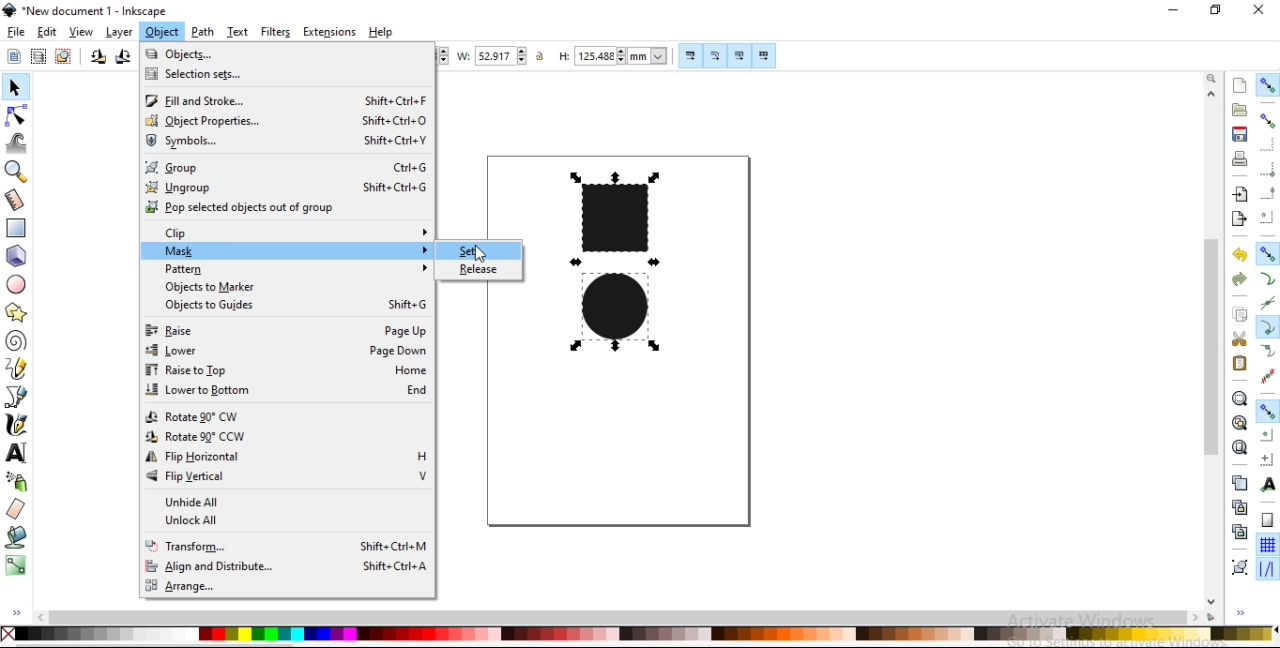  I want to click on draw calligraphic or brush strokes, so click(18, 423).